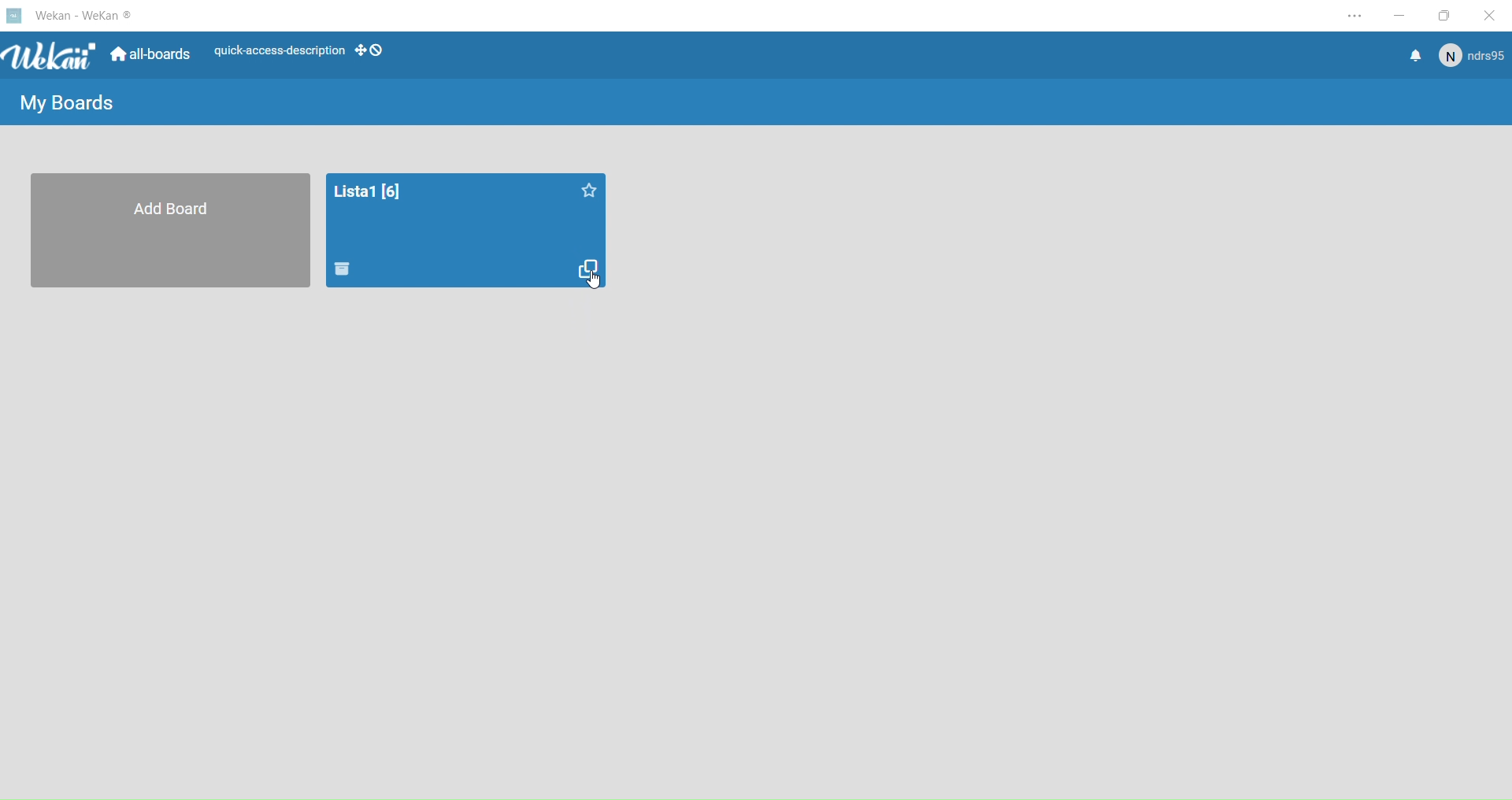  What do you see at coordinates (594, 280) in the screenshot?
I see `cursor` at bounding box center [594, 280].